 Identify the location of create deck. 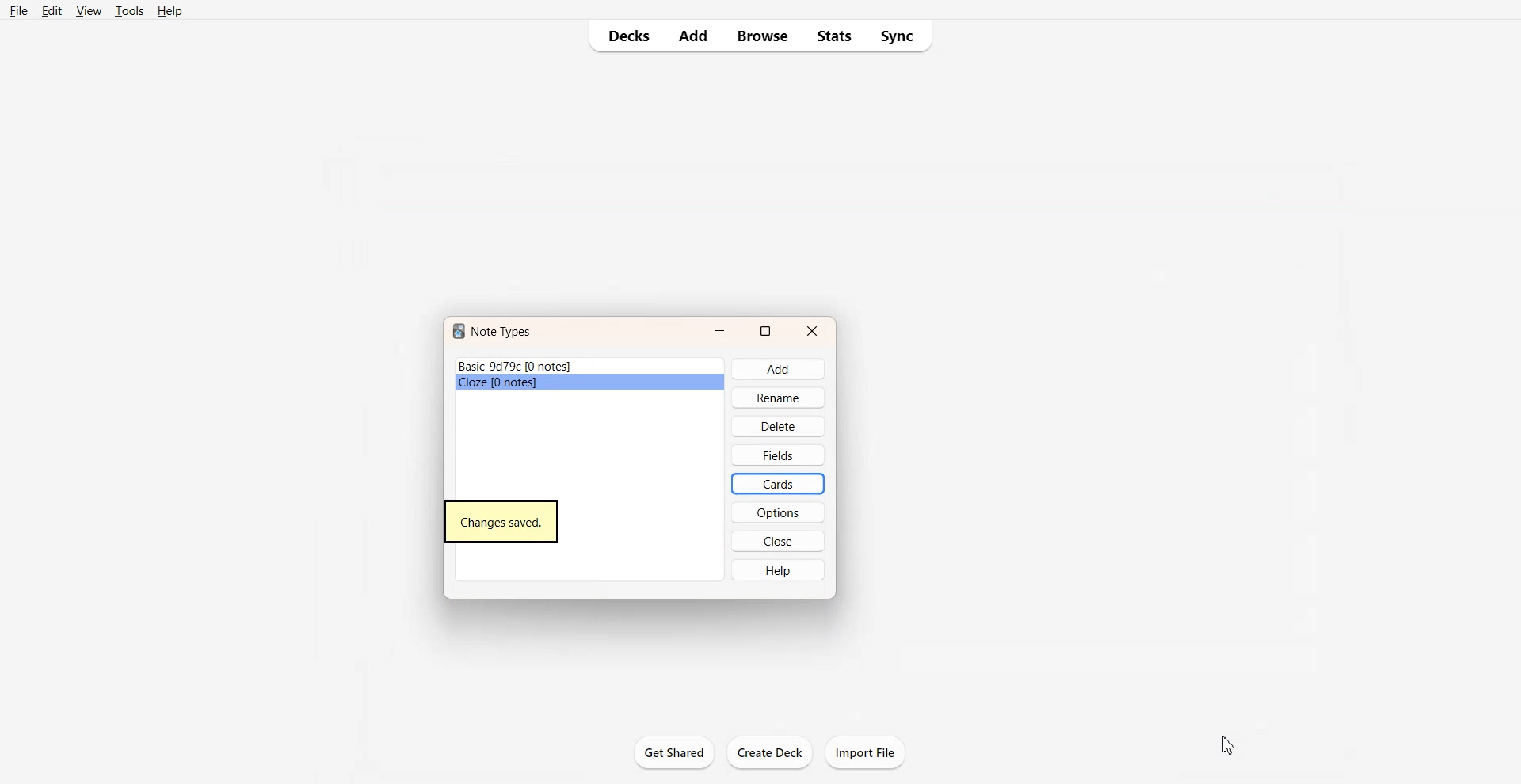
(772, 755).